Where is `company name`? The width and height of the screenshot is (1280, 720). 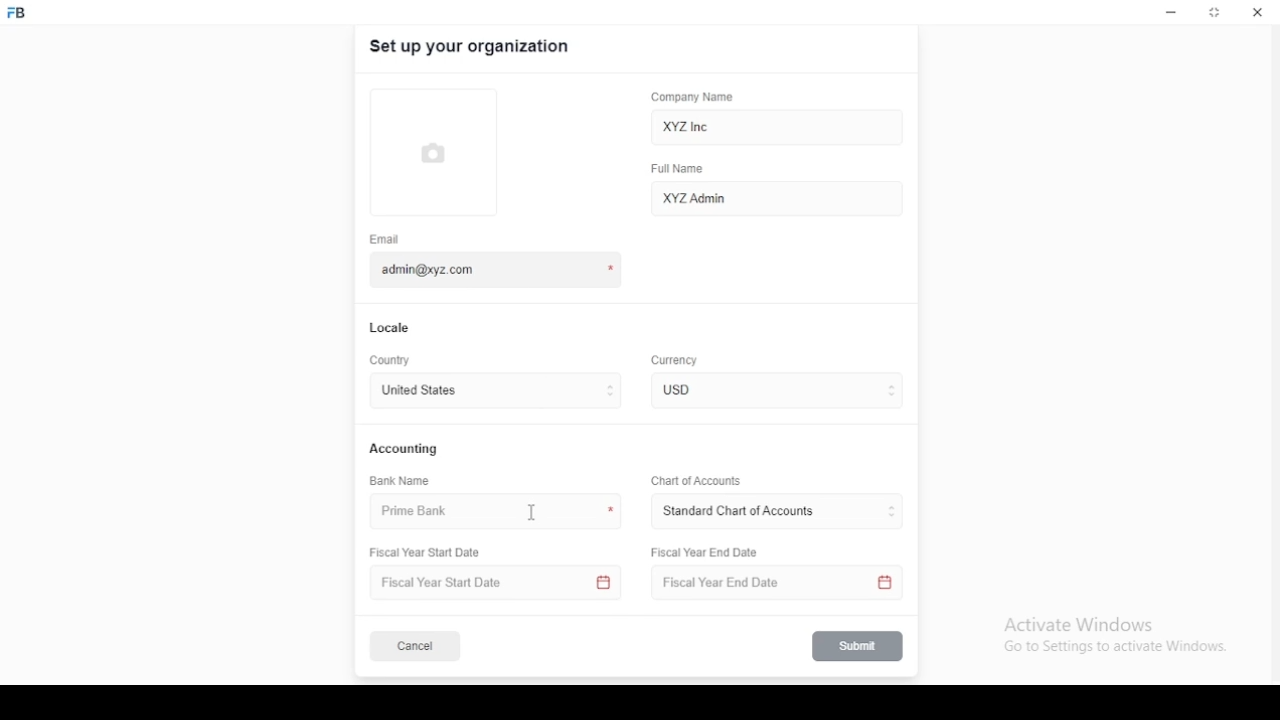
company name is located at coordinates (692, 97).